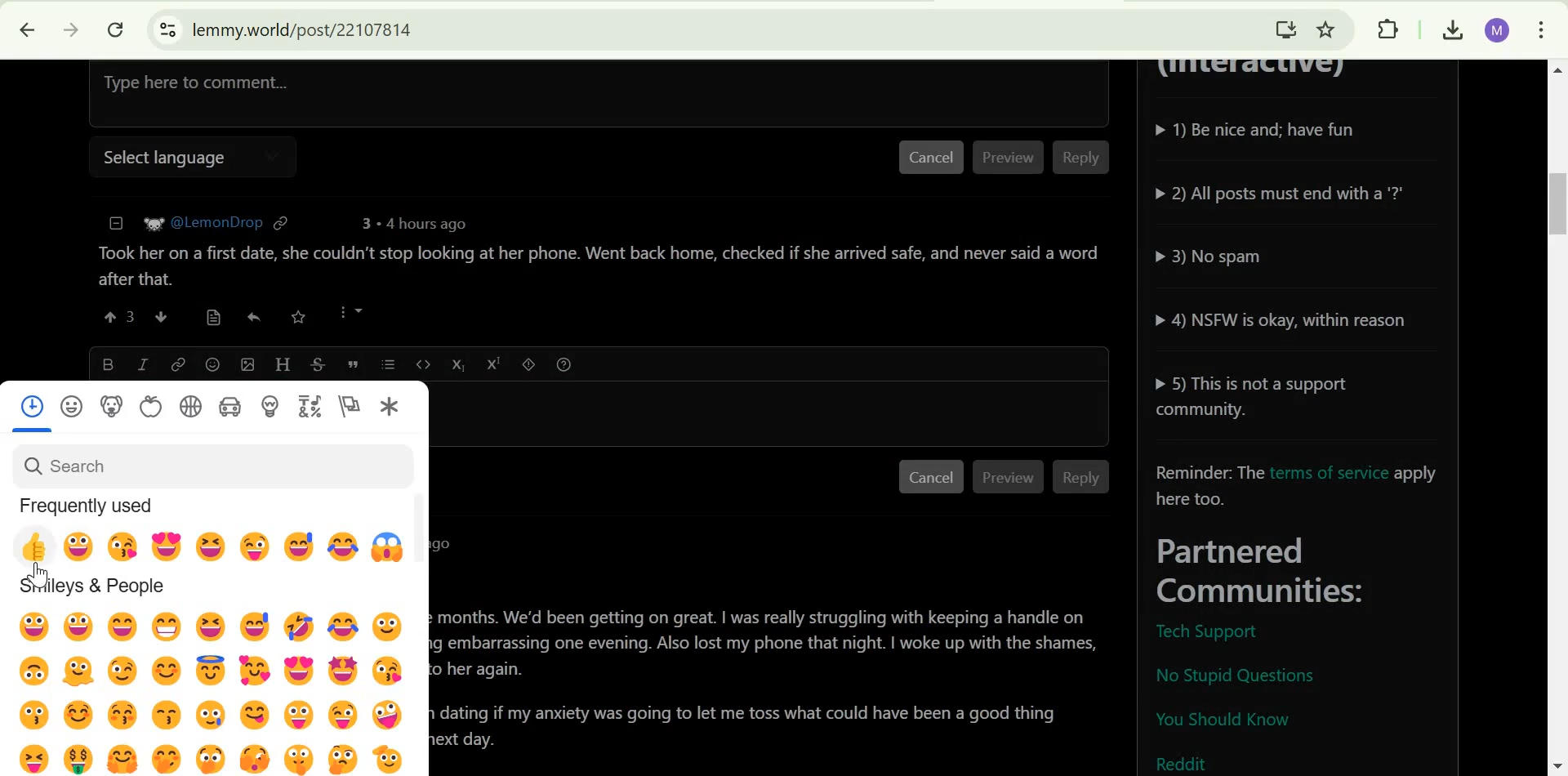 Image resolution: width=1568 pixels, height=776 pixels. I want to click on cursor, so click(38, 575).